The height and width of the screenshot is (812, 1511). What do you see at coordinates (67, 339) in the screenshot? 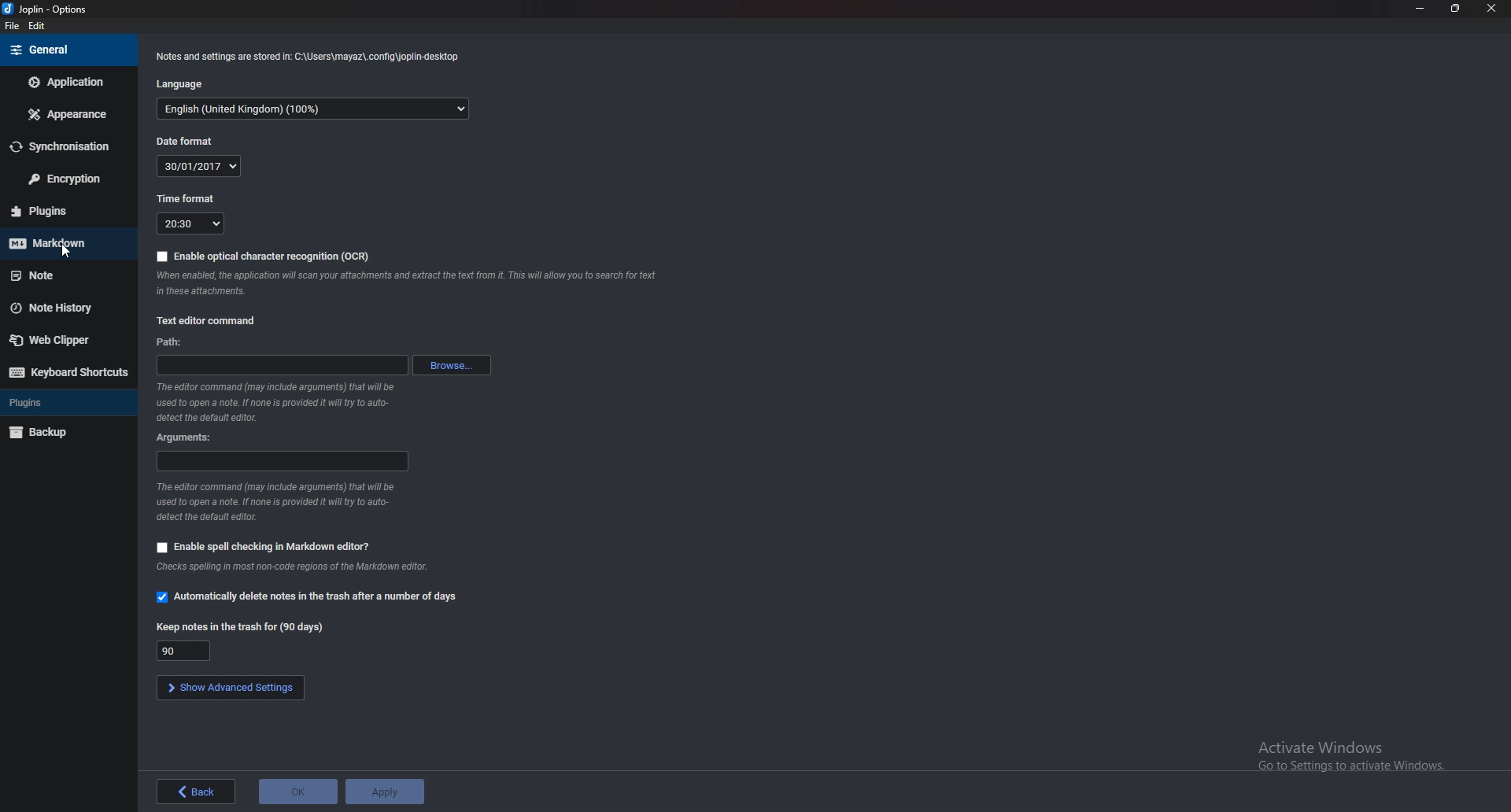
I see `Webclipper` at bounding box center [67, 339].